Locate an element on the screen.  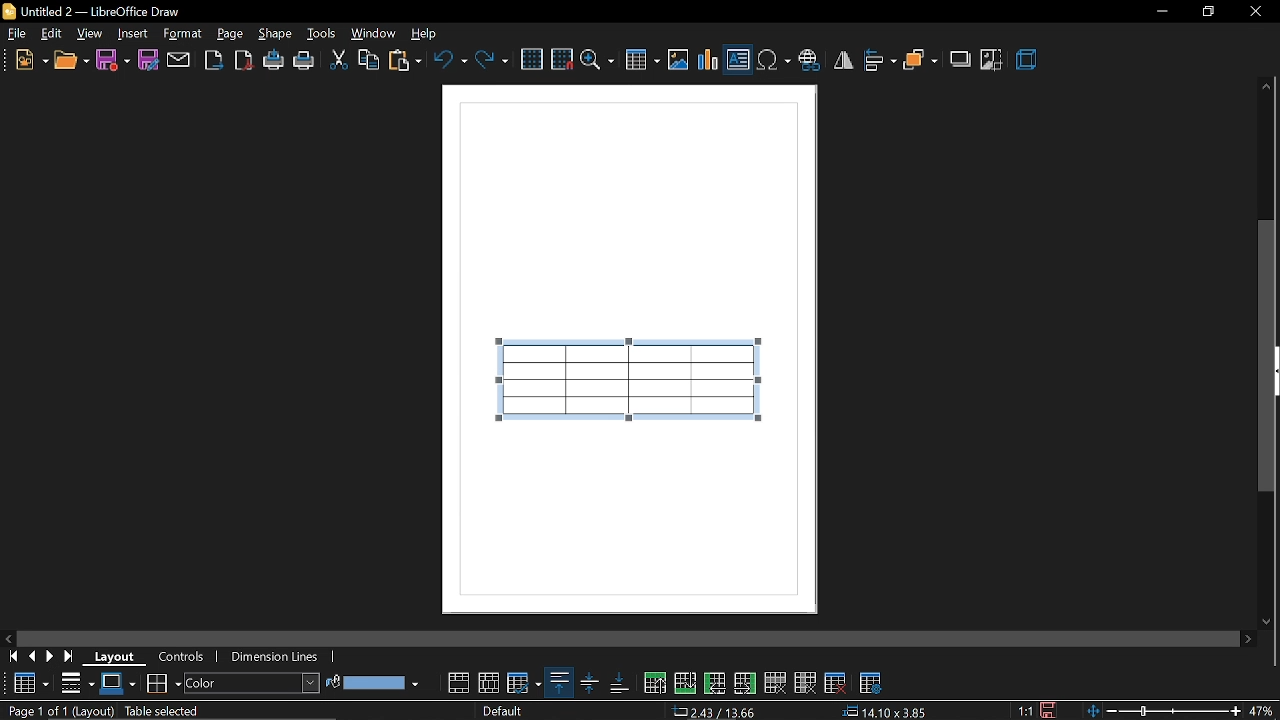
table properties is located at coordinates (870, 680).